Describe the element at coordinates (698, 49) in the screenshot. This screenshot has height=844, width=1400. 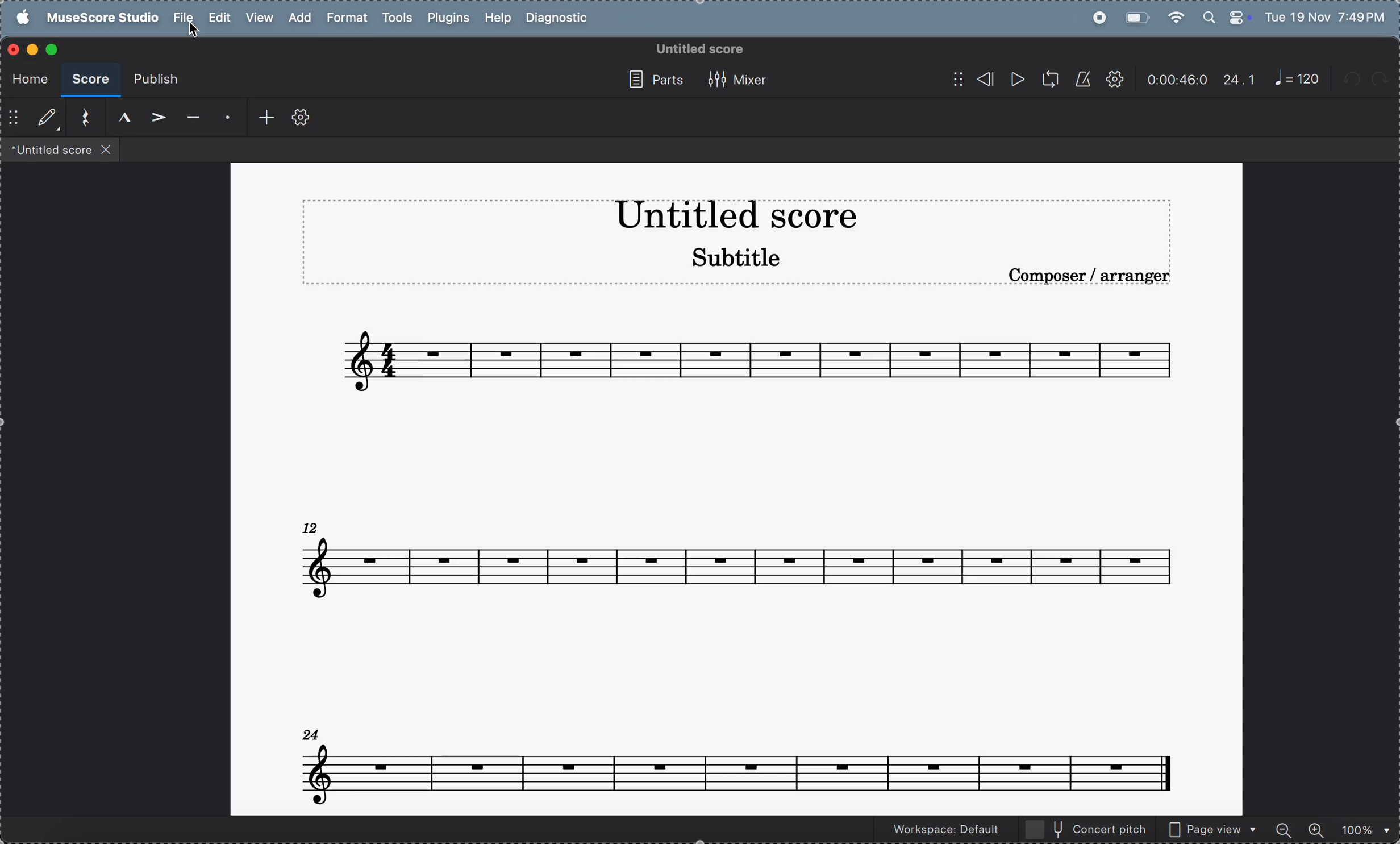
I see `untitled score` at that location.